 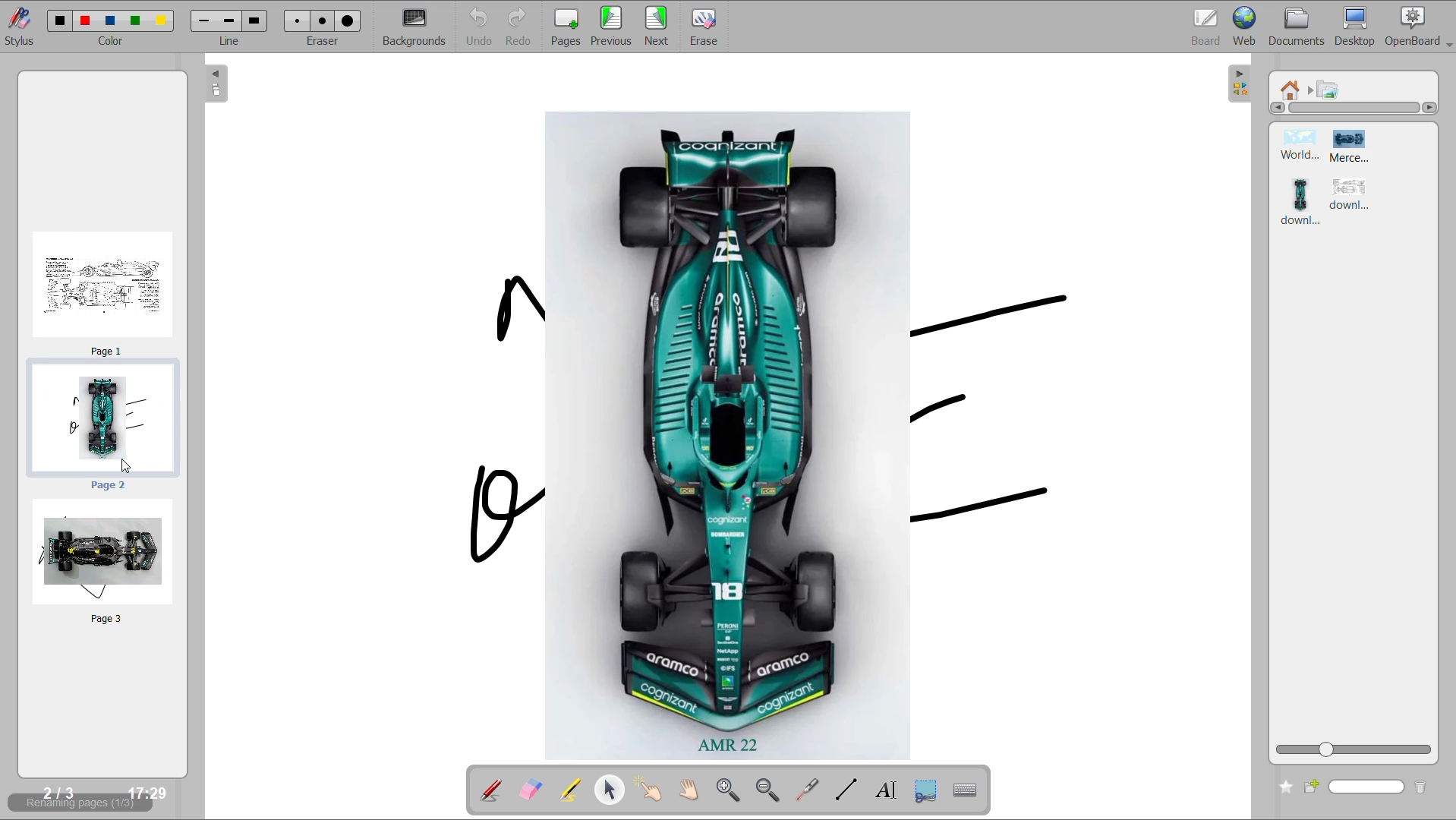 I want to click on line size 2, so click(x=229, y=20).